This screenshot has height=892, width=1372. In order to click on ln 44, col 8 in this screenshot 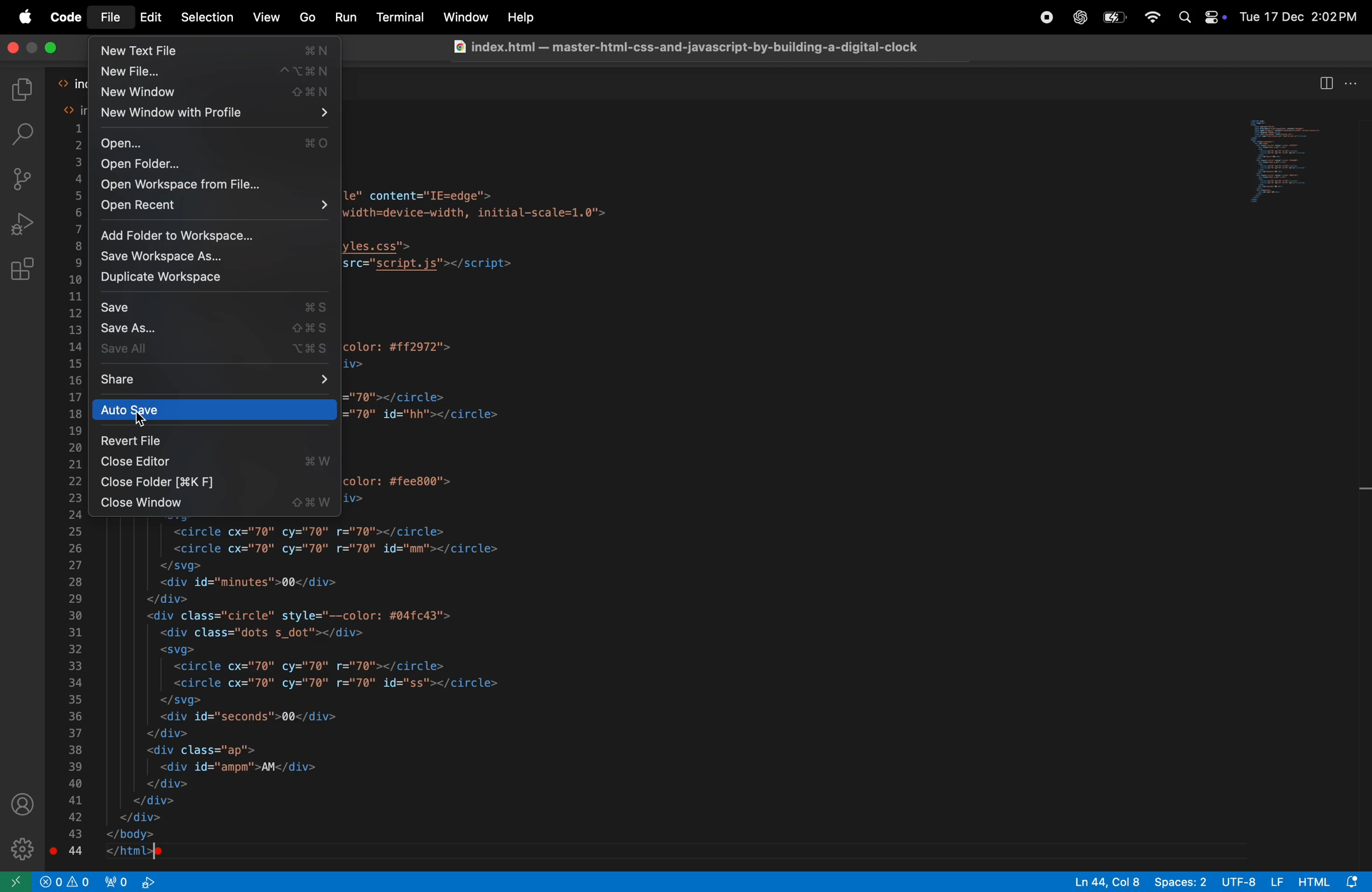, I will do `click(1106, 881)`.